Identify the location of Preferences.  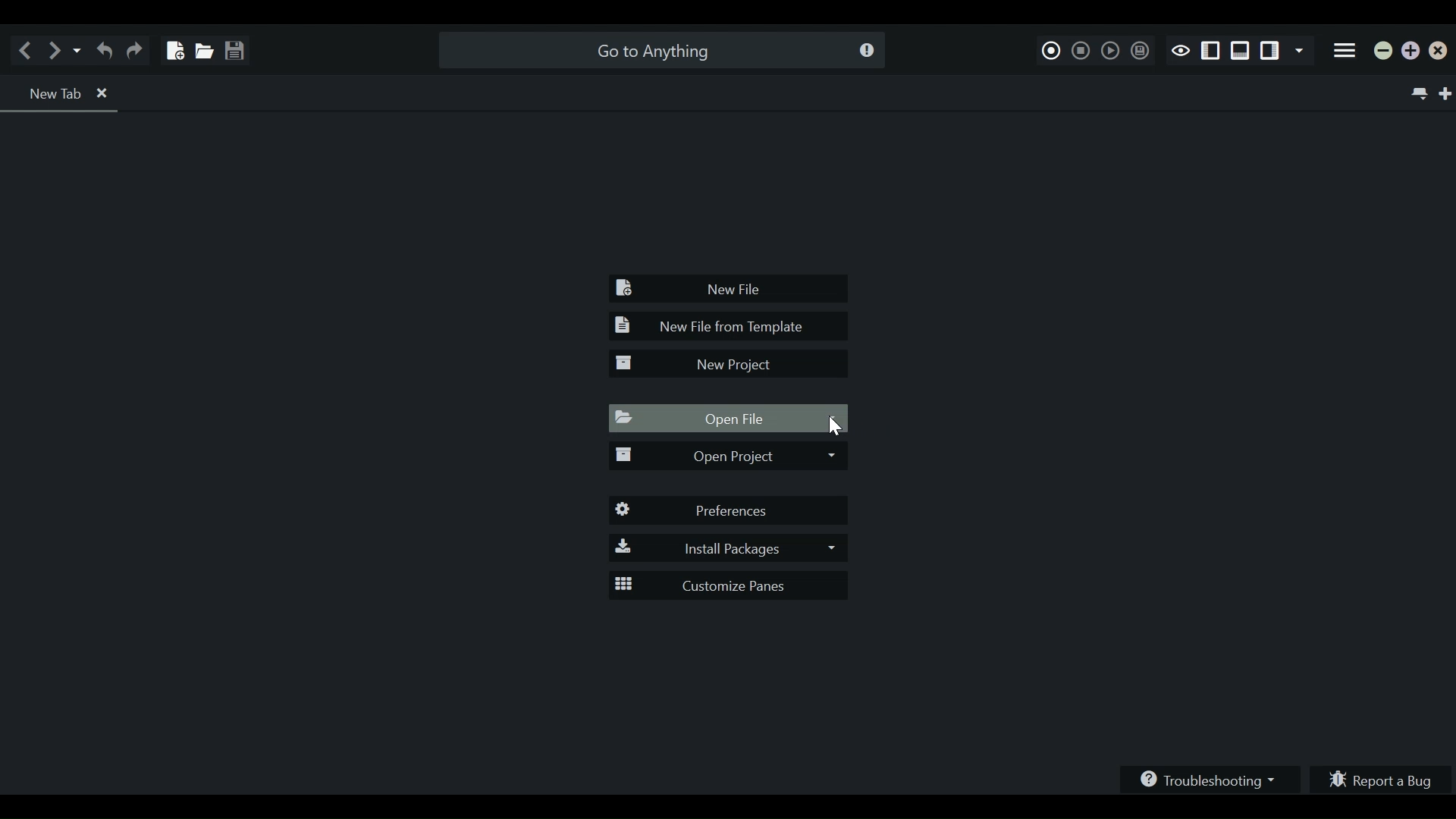
(730, 511).